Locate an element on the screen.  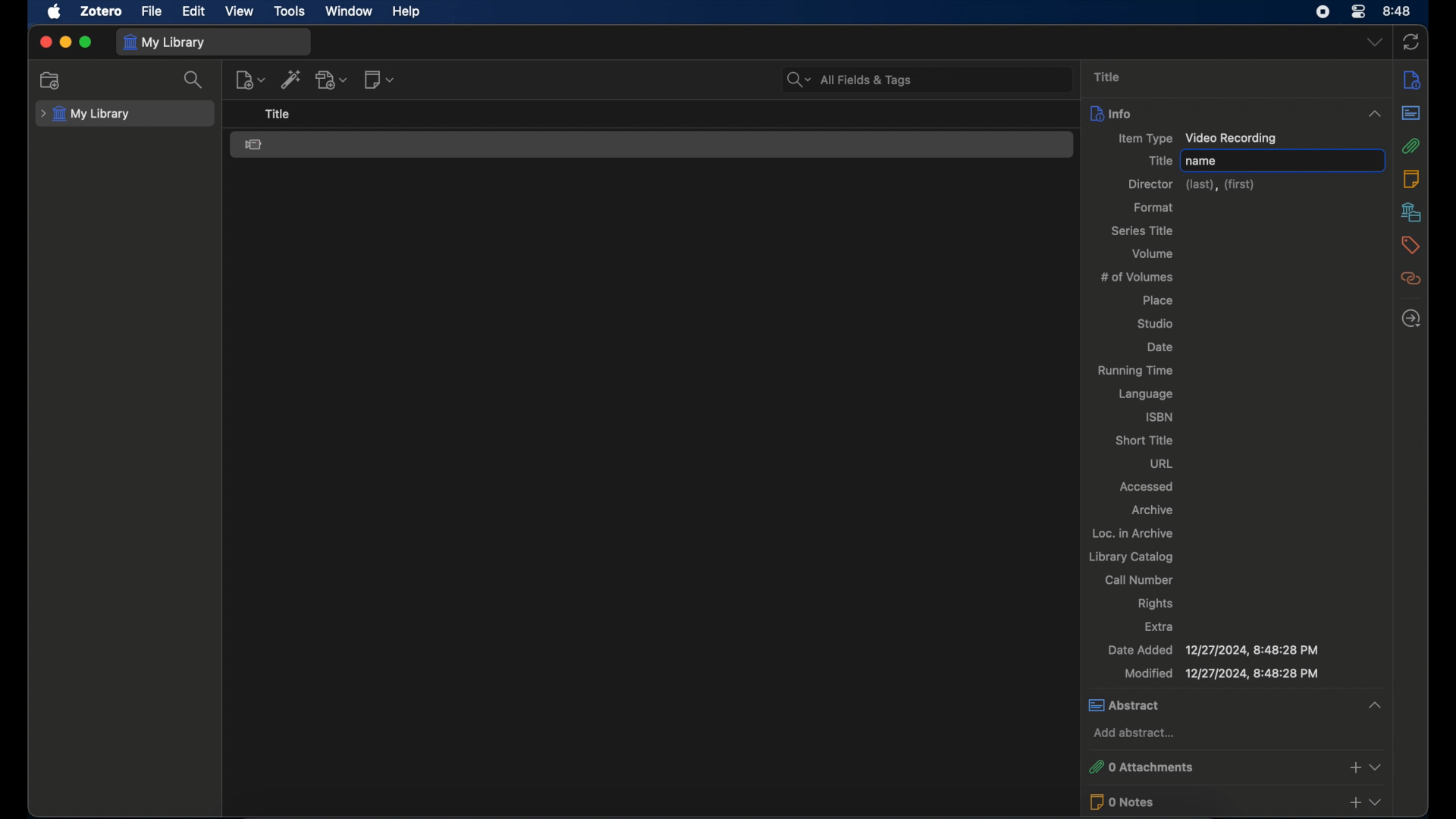
new item is located at coordinates (249, 80).